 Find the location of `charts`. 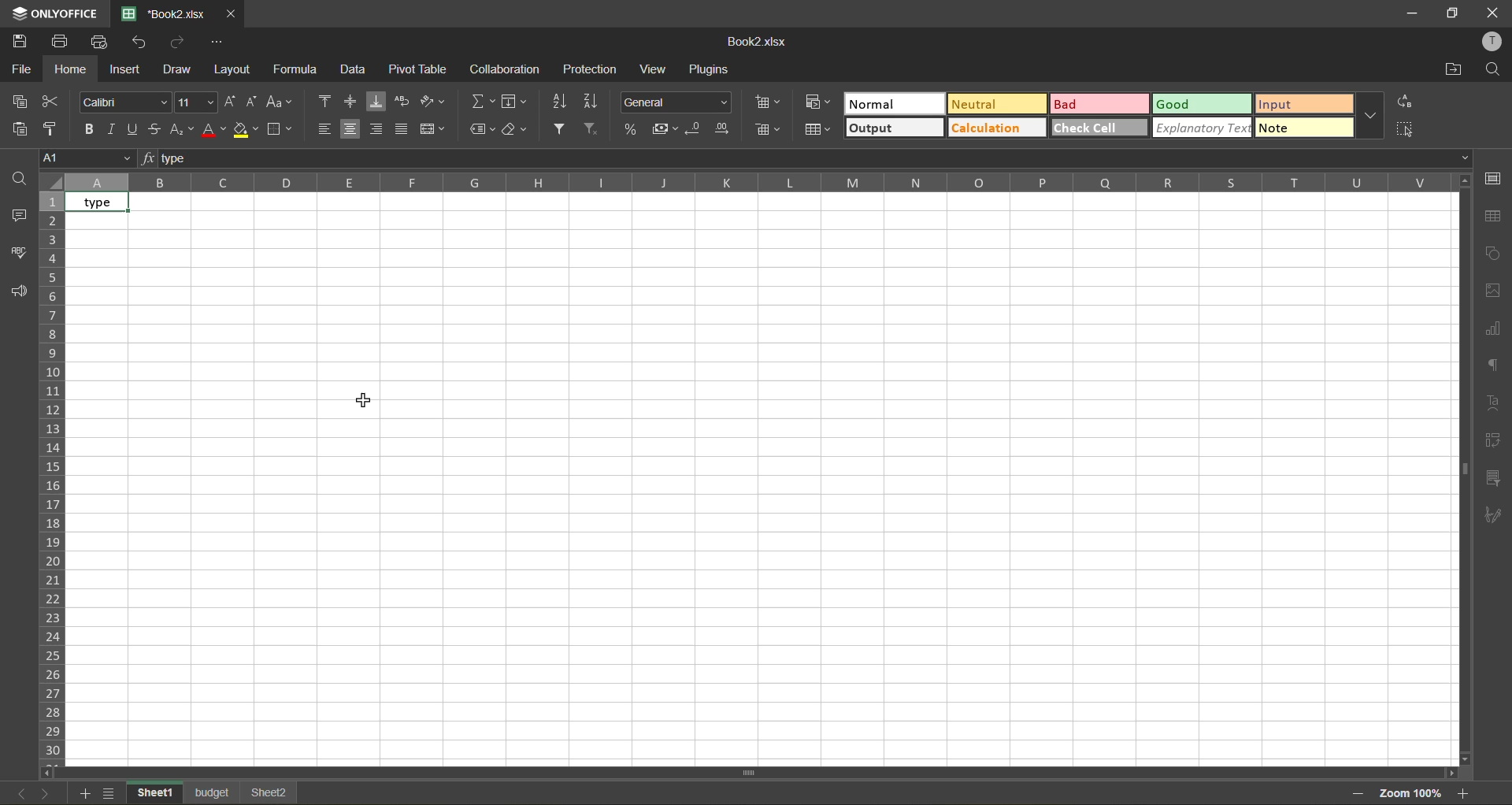

charts is located at coordinates (1495, 328).